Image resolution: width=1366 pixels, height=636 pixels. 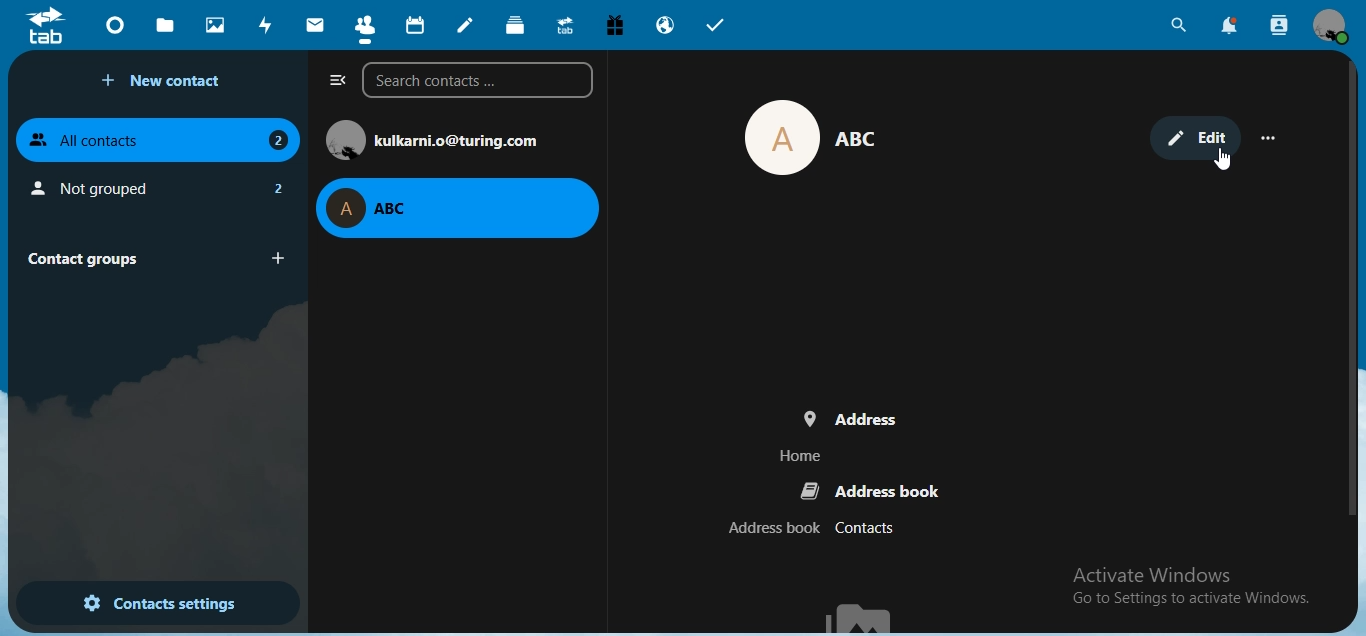 I want to click on dashboard, so click(x=114, y=24).